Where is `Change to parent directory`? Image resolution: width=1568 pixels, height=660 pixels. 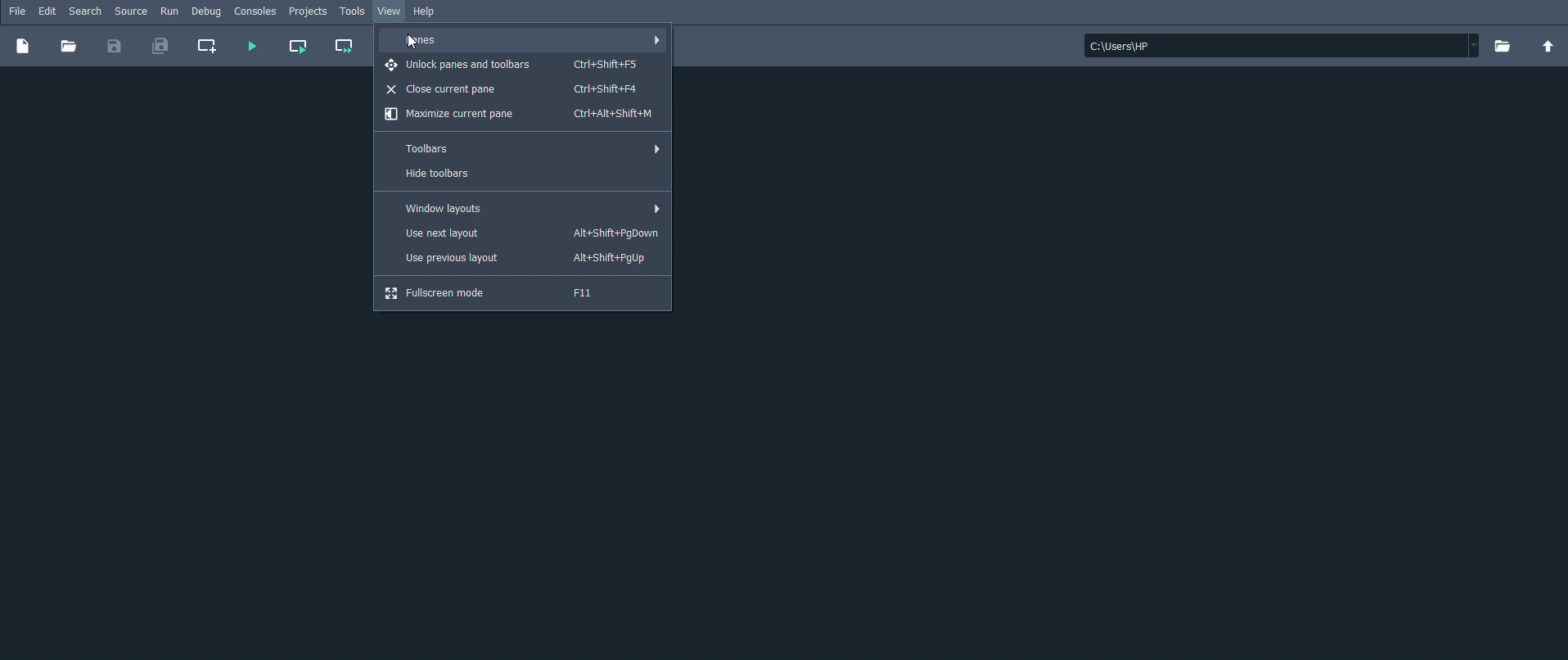
Change to parent directory is located at coordinates (1548, 47).